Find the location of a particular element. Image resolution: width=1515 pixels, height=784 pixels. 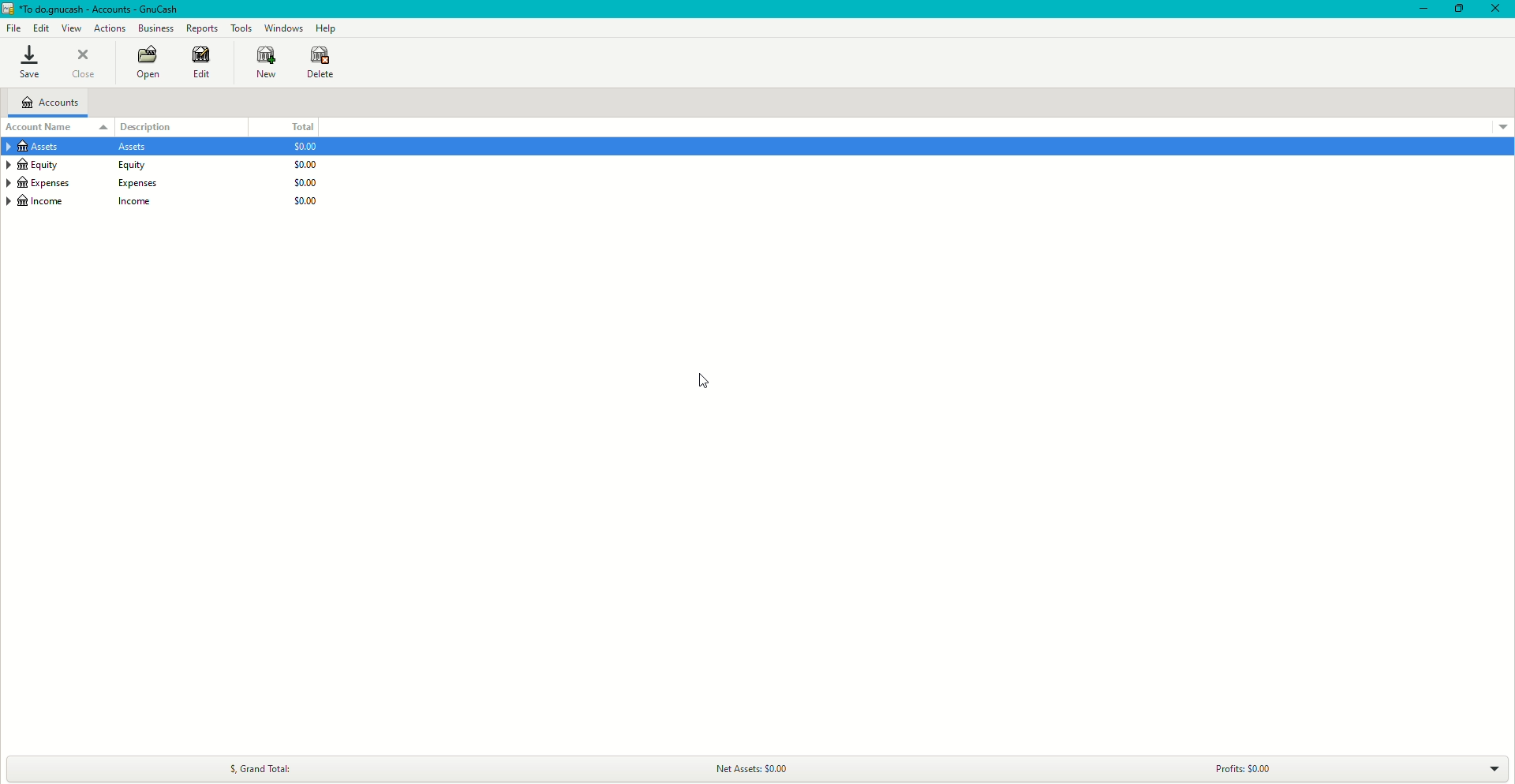

Windows is located at coordinates (282, 27).